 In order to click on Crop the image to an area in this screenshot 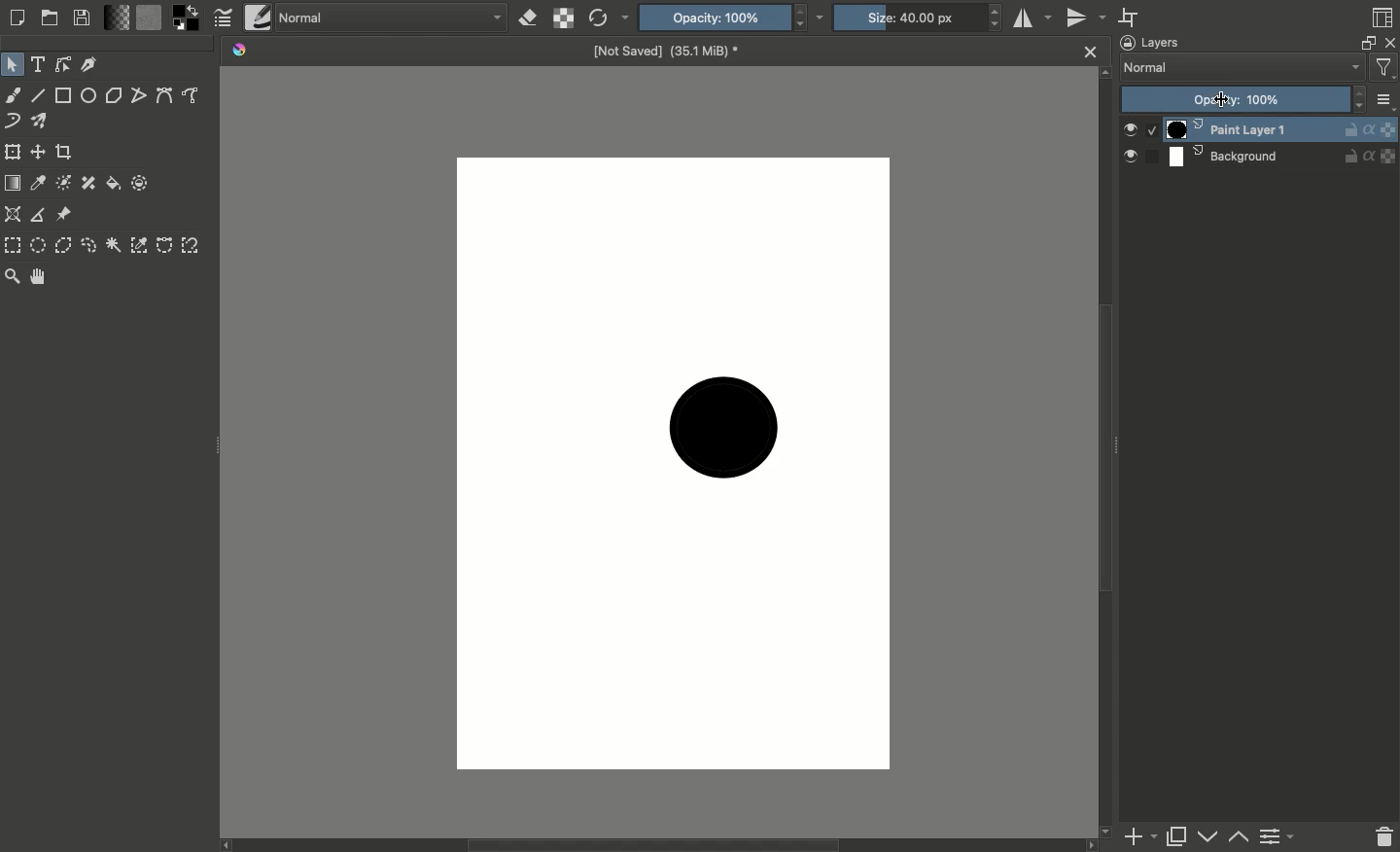, I will do `click(63, 151)`.